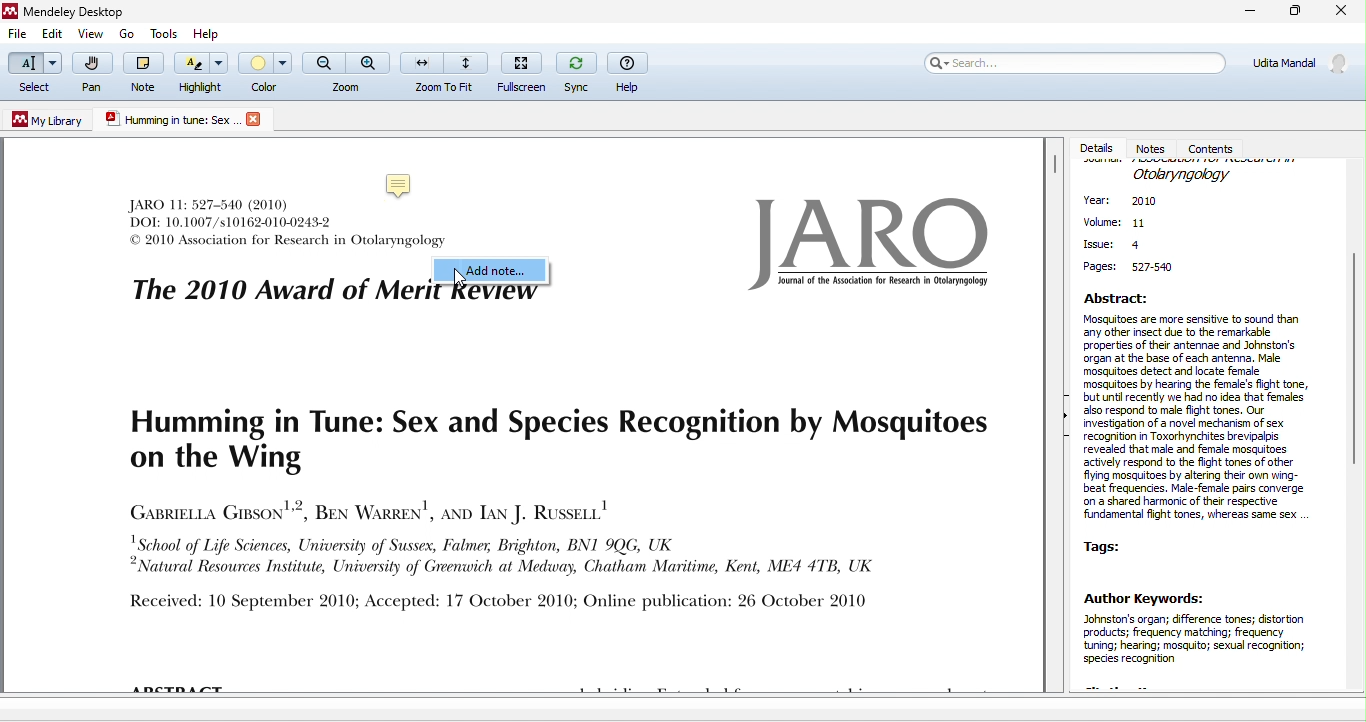 The width and height of the screenshot is (1366, 722). I want to click on zoom, so click(346, 72).